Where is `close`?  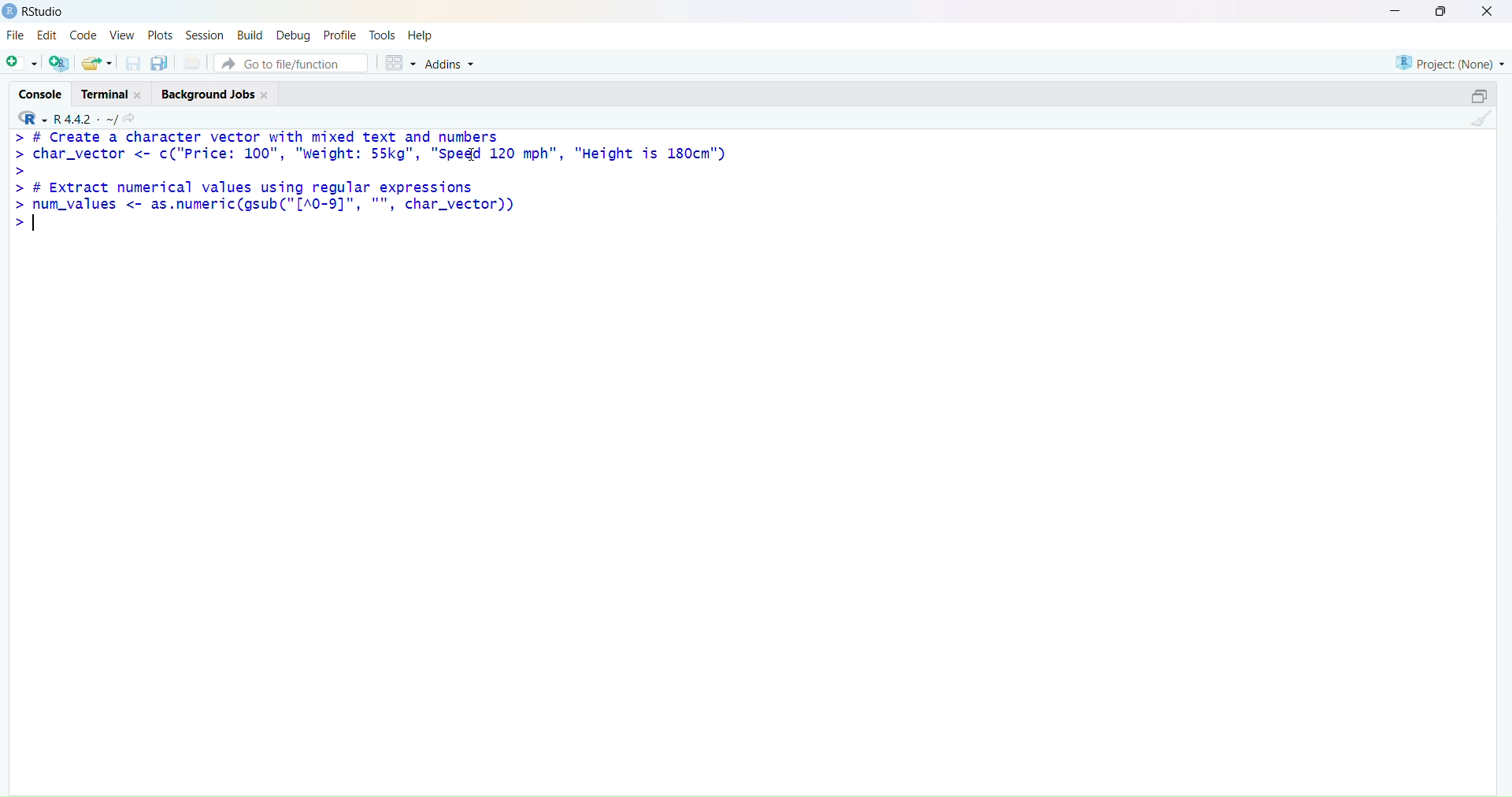
close is located at coordinates (265, 95).